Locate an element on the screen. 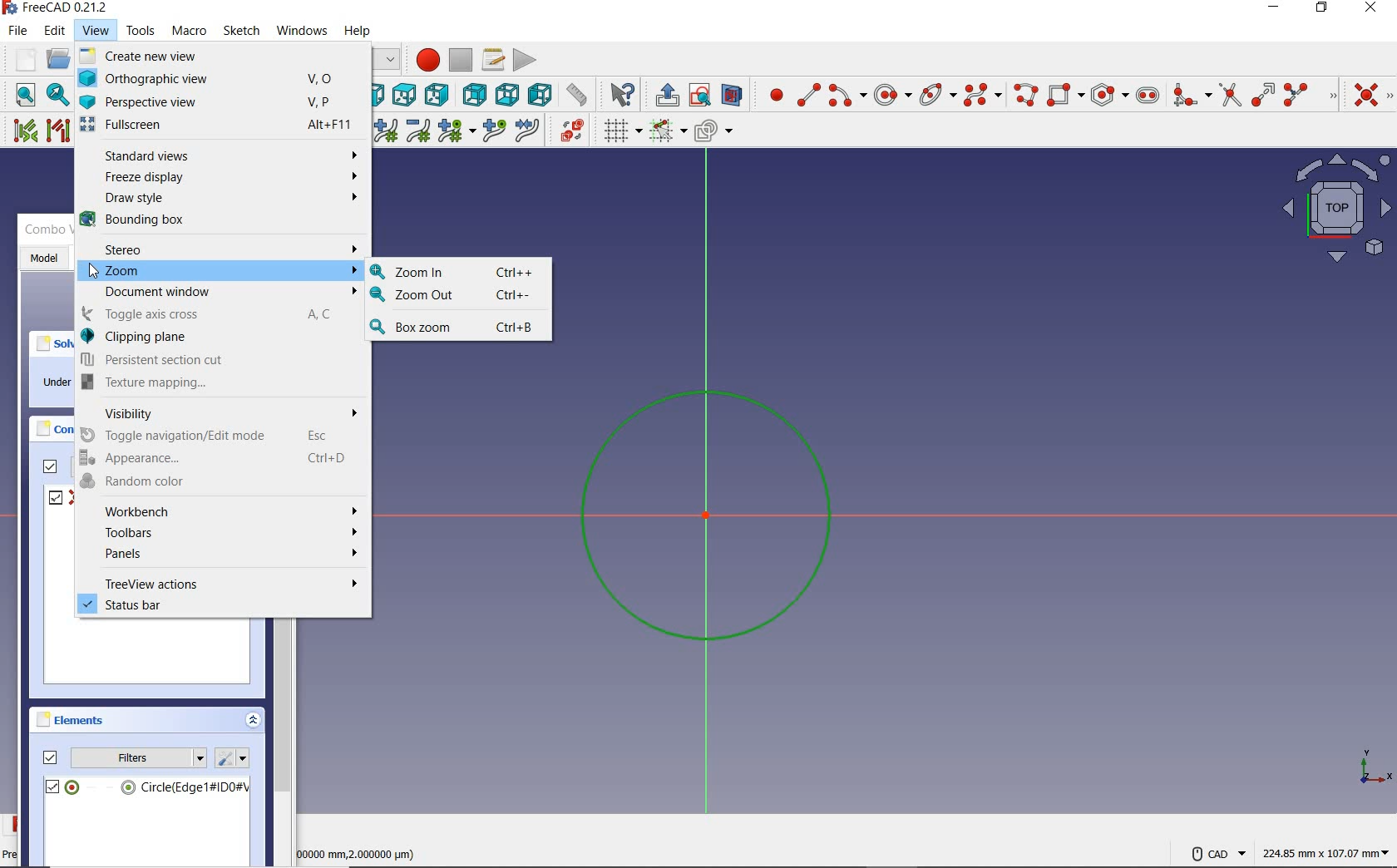  constraints is located at coordinates (52, 430).